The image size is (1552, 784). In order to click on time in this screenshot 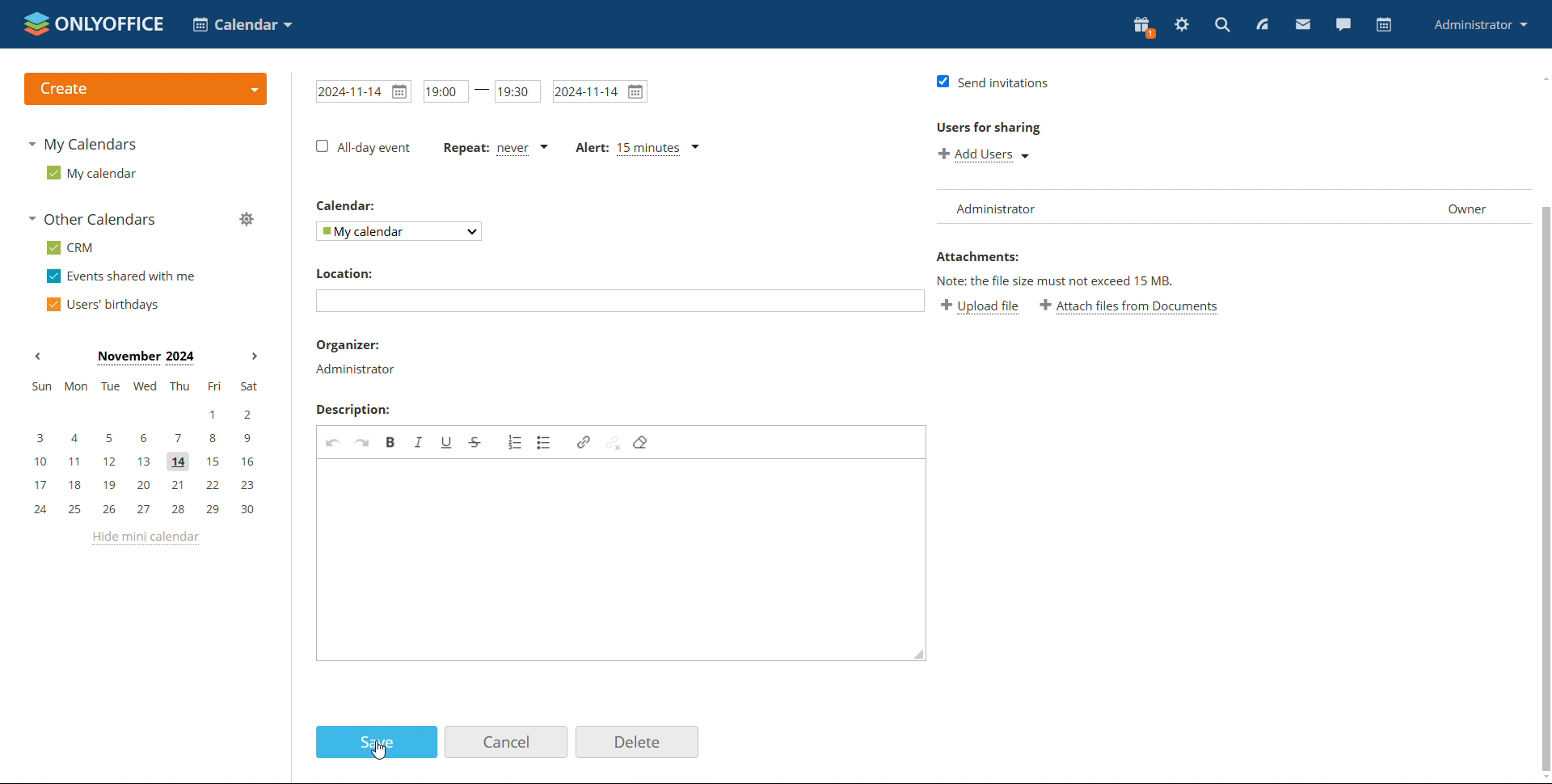, I will do `click(478, 92)`.